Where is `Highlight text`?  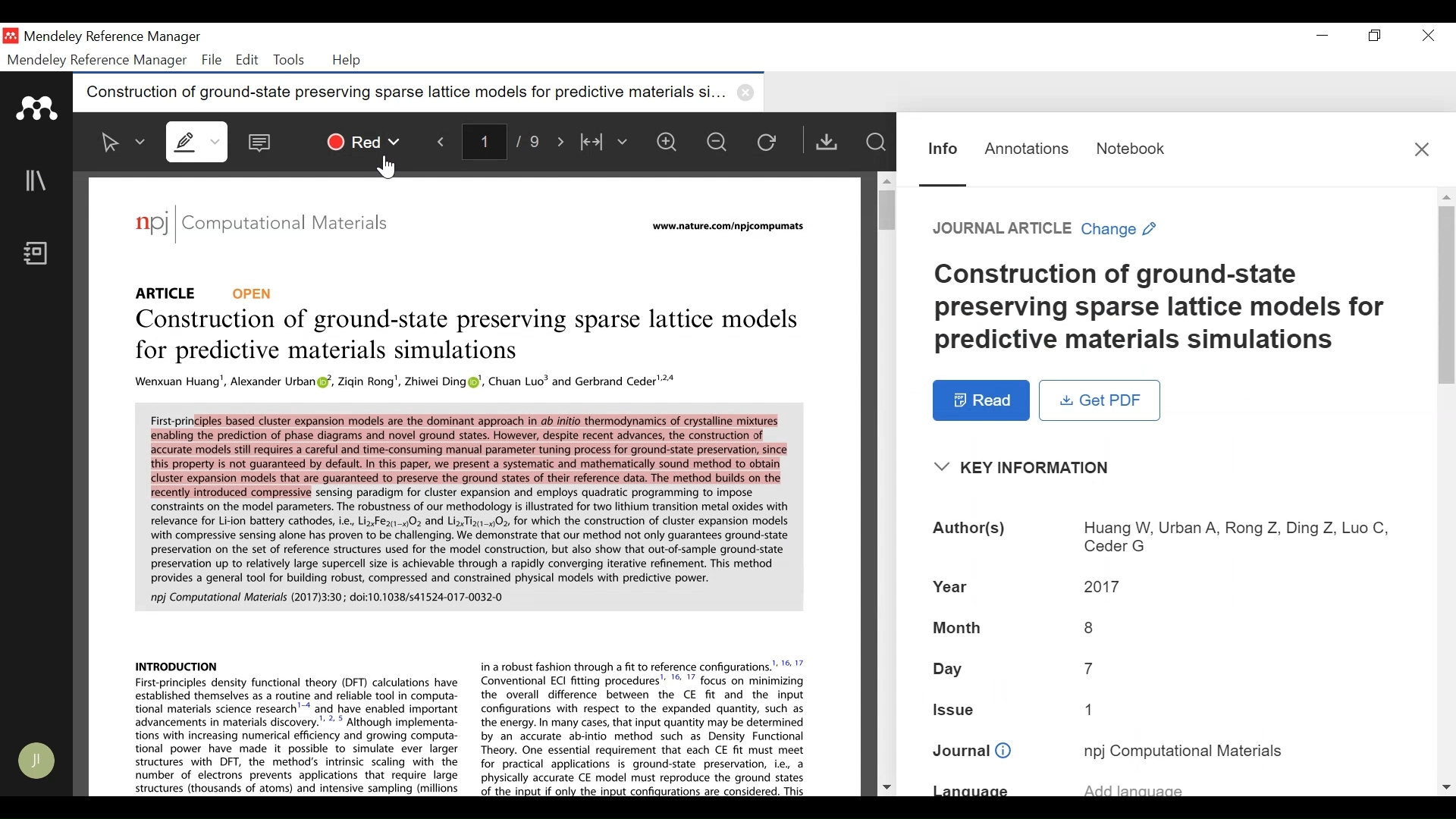 Highlight text is located at coordinates (197, 142).